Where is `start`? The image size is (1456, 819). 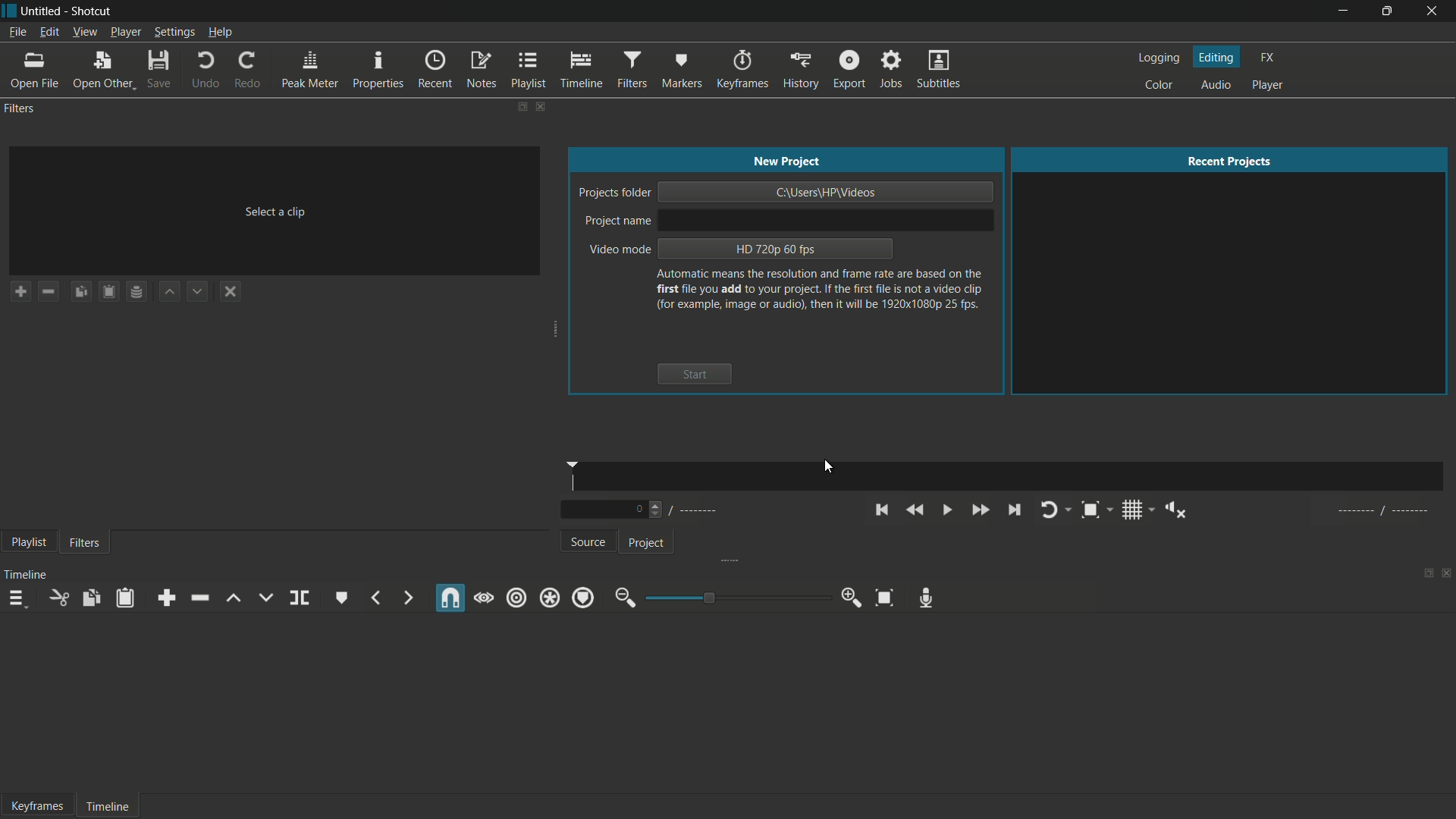 start is located at coordinates (694, 374).